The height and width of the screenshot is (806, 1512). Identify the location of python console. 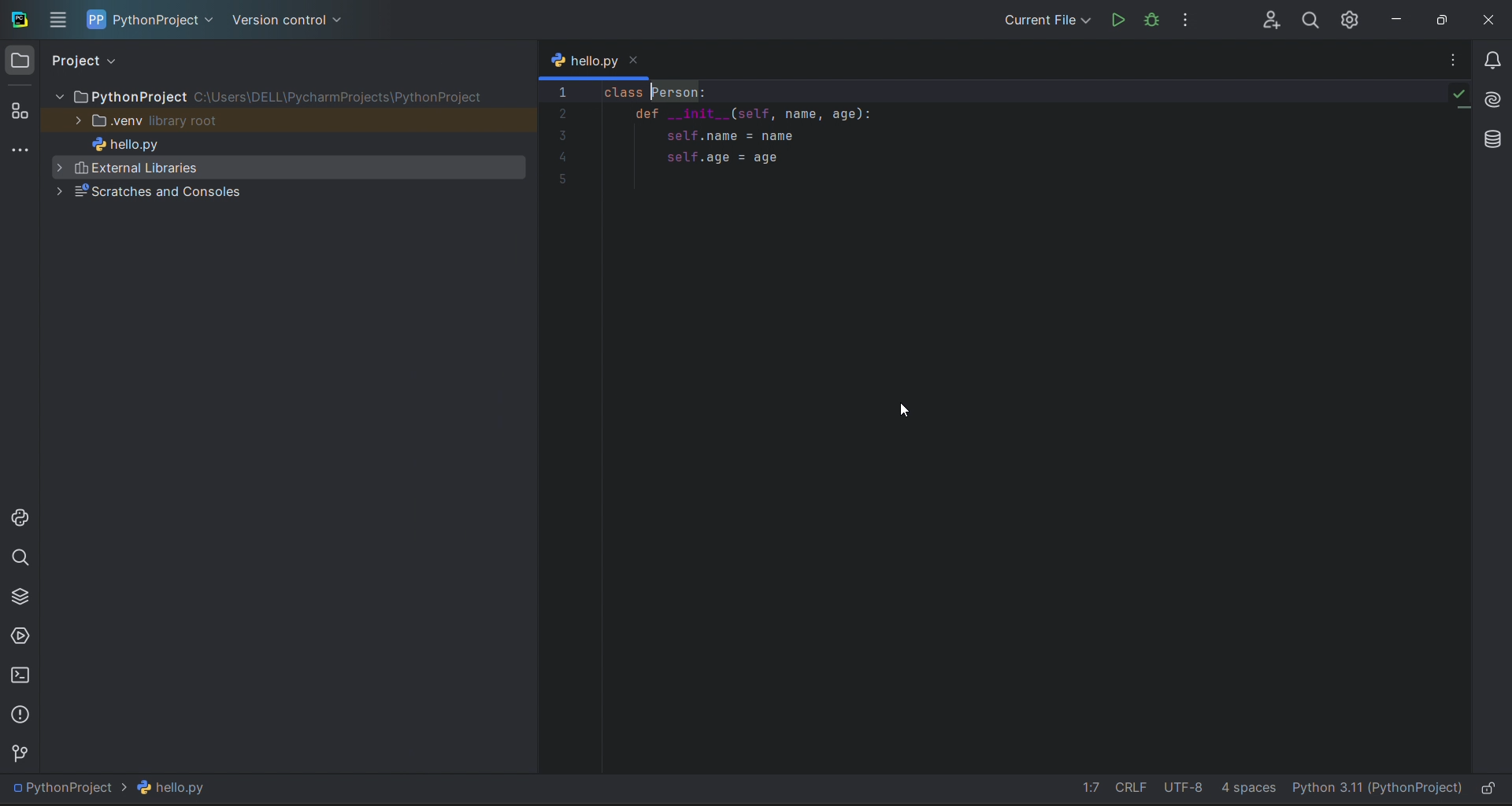
(20, 518).